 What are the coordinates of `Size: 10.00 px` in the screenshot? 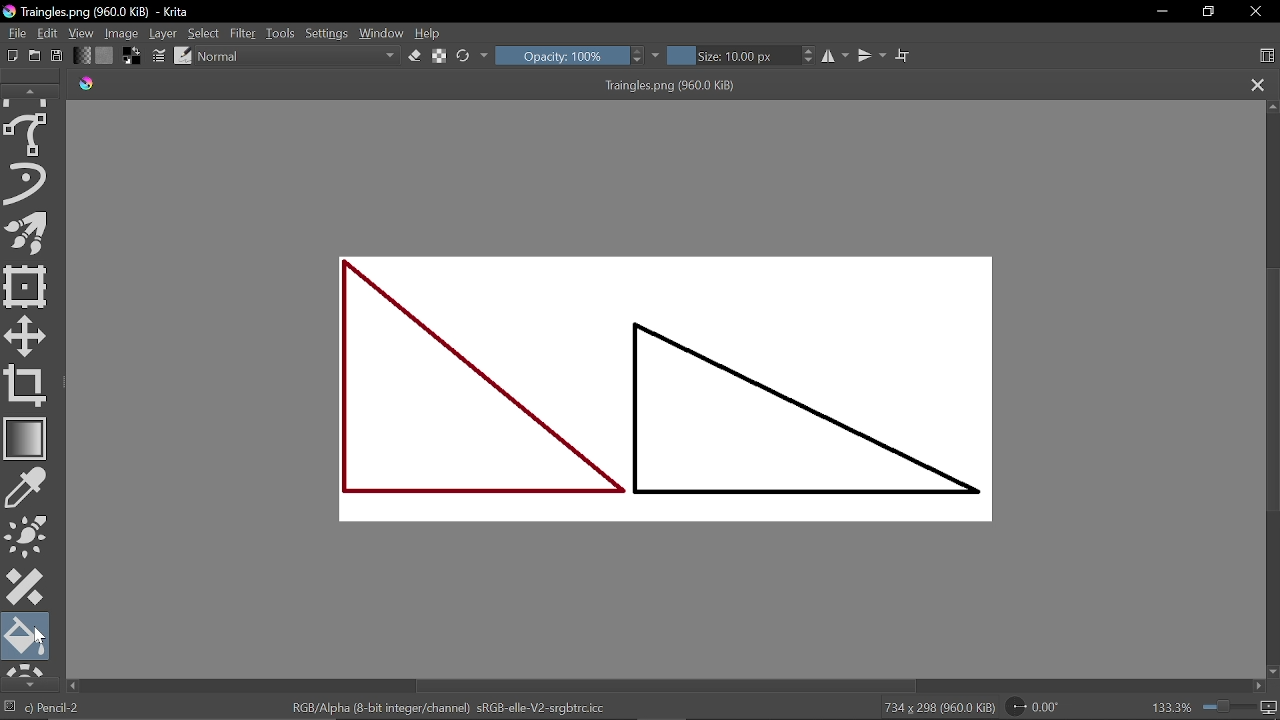 It's located at (741, 56).